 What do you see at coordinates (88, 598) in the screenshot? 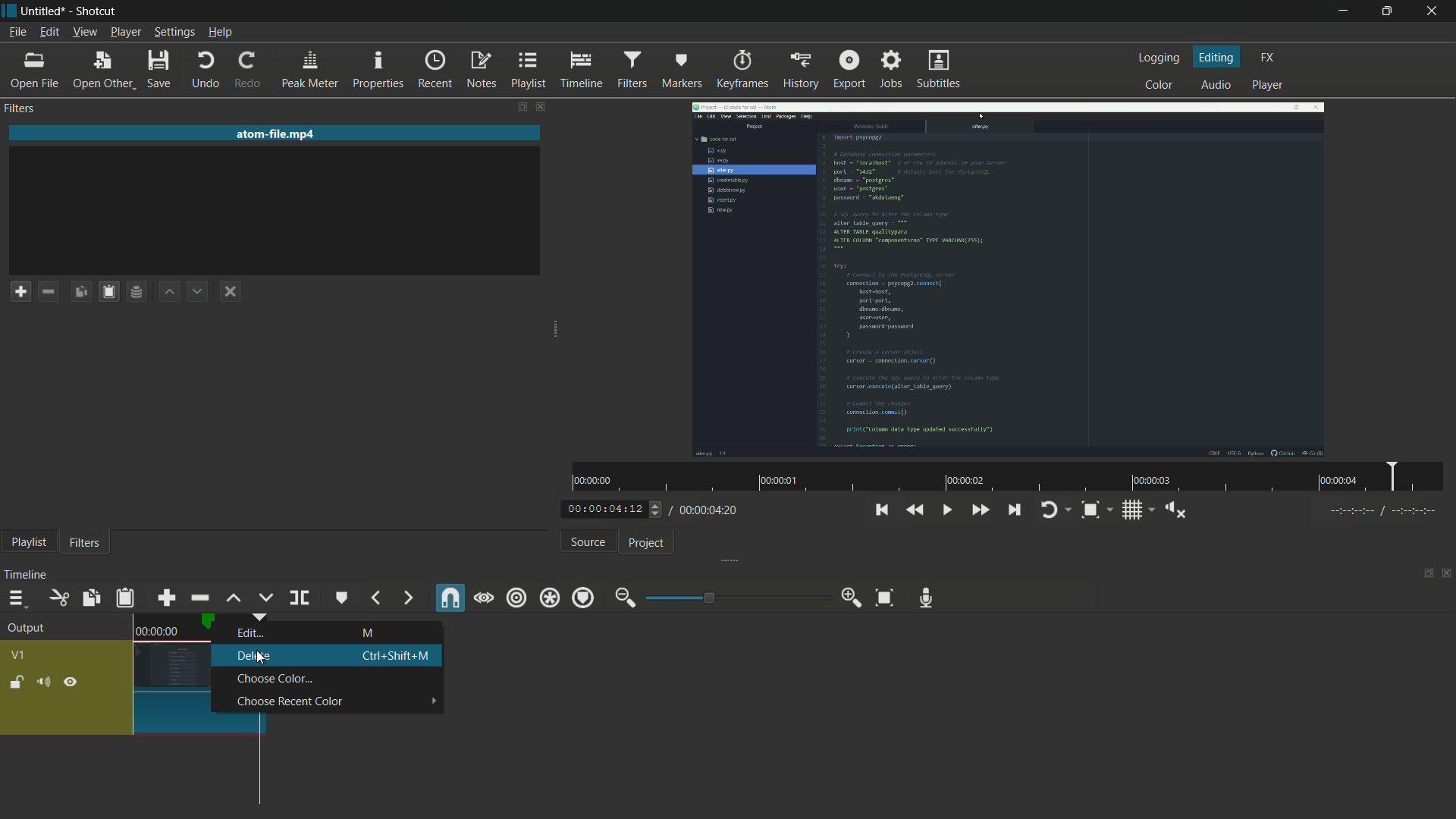
I see `copy` at bounding box center [88, 598].